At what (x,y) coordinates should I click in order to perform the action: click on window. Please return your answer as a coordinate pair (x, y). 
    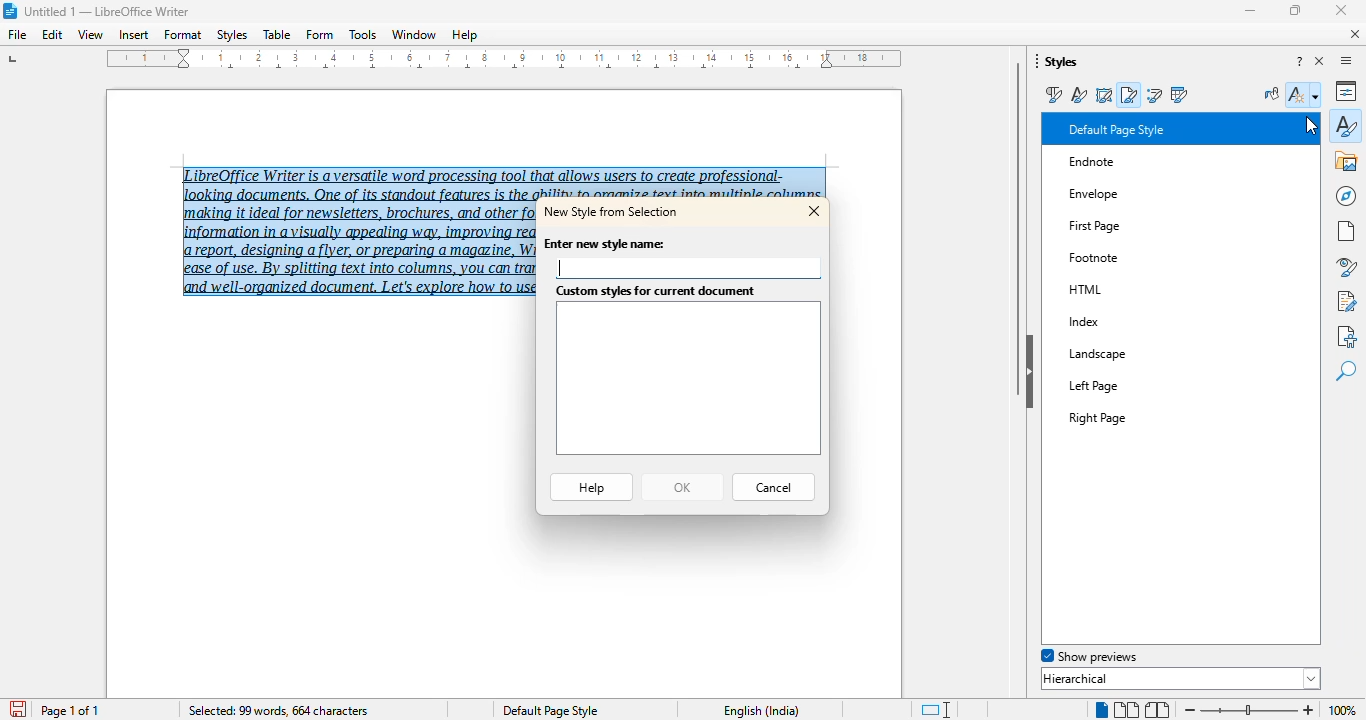
    Looking at the image, I should click on (415, 34).